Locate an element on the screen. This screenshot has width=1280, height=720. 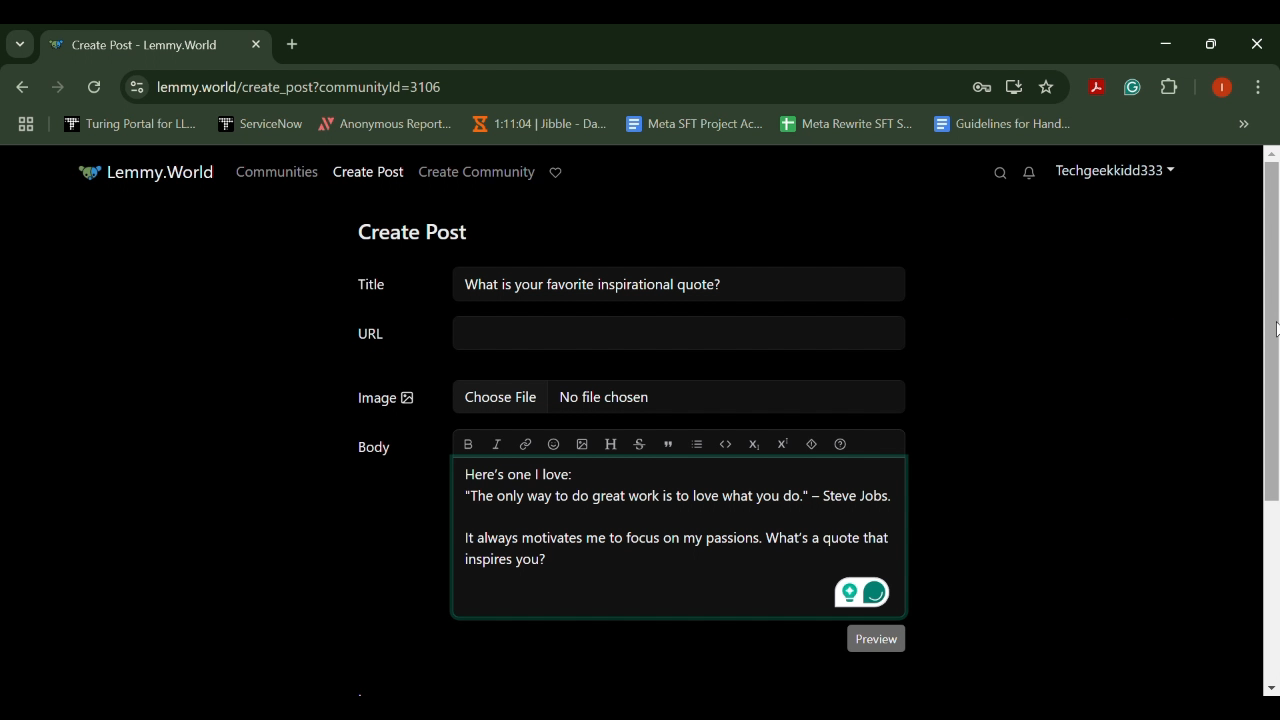
header is located at coordinates (610, 444).